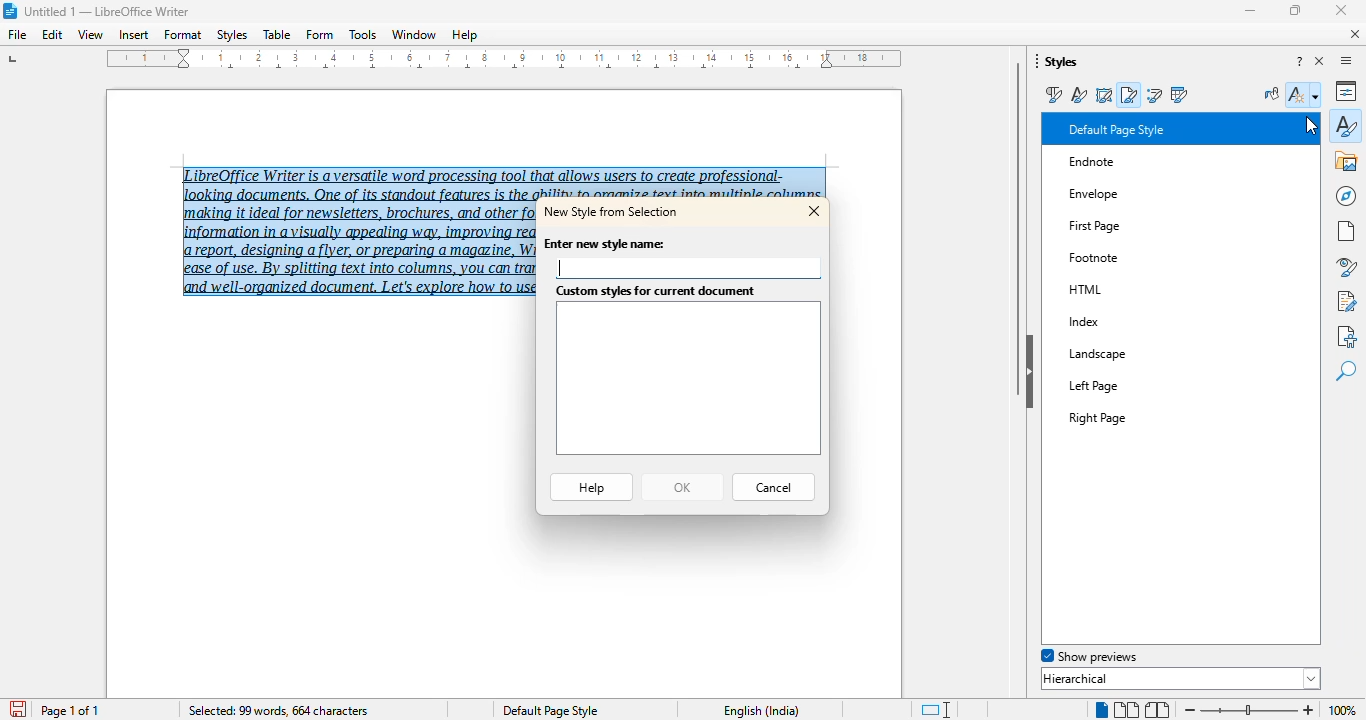 The image size is (1366, 720). Describe the element at coordinates (1251, 10) in the screenshot. I see `minimize` at that location.